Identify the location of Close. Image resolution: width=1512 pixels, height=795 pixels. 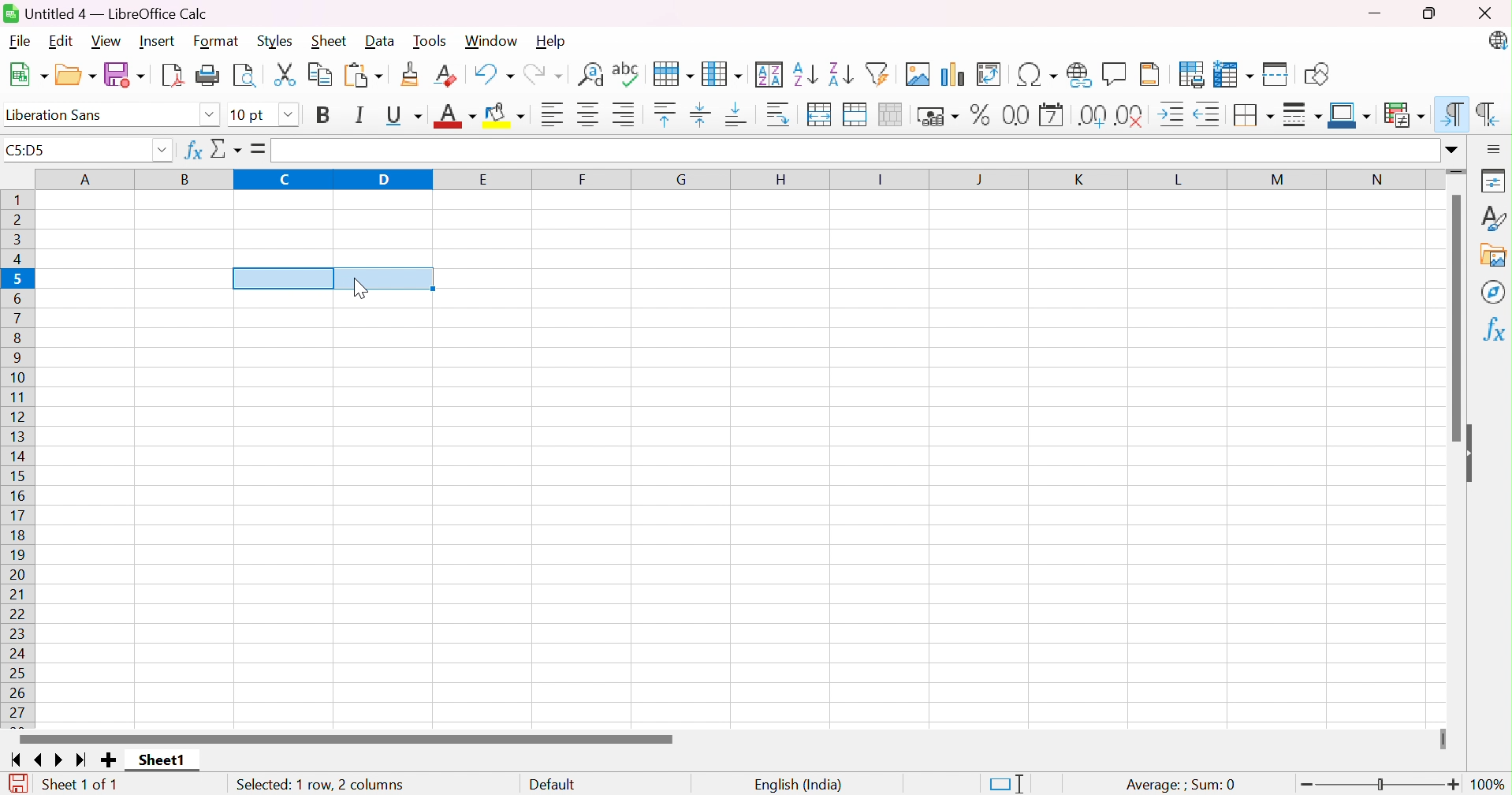
(1485, 13).